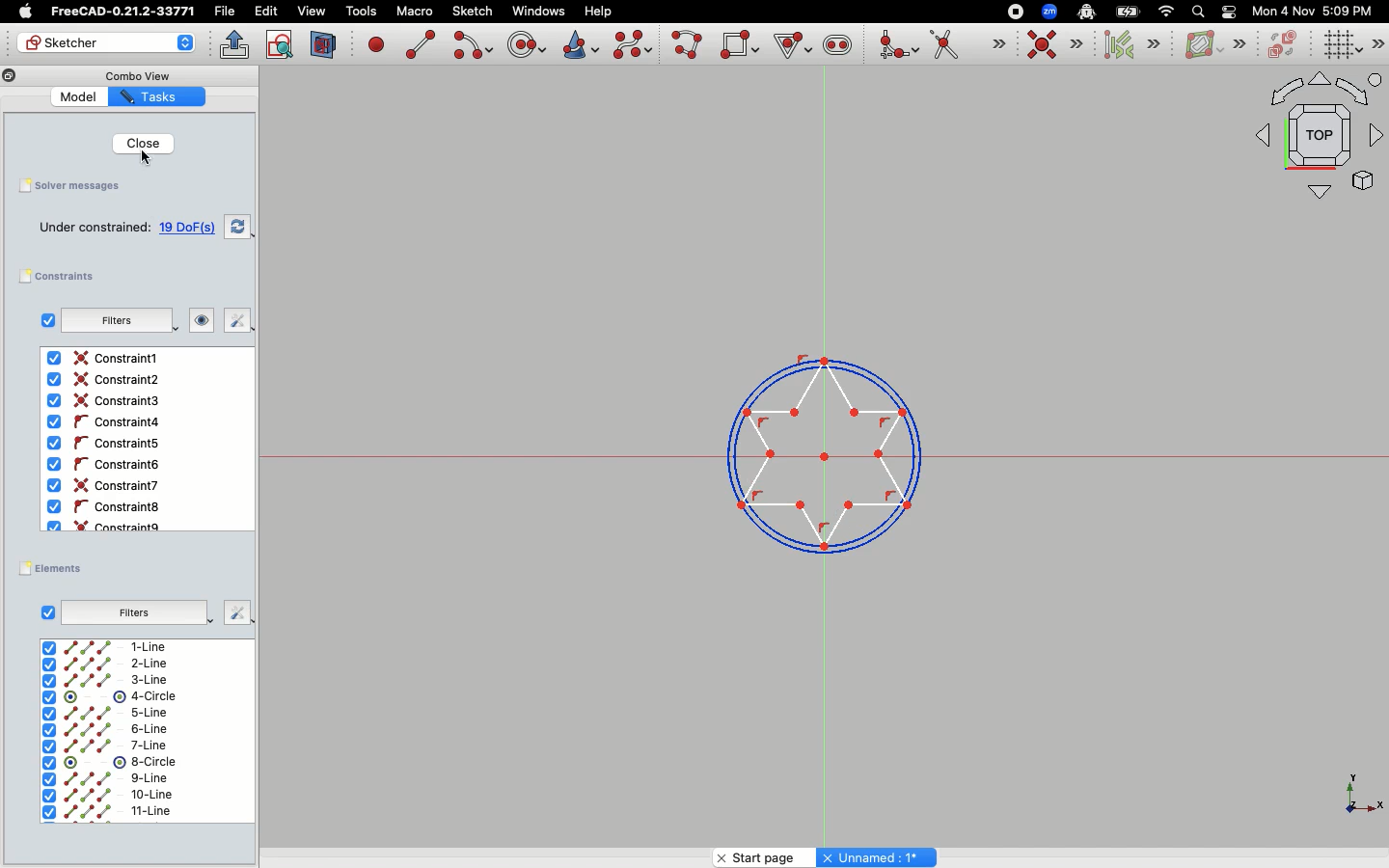 Image resolution: width=1389 pixels, height=868 pixels. I want to click on Elements, so click(56, 568).